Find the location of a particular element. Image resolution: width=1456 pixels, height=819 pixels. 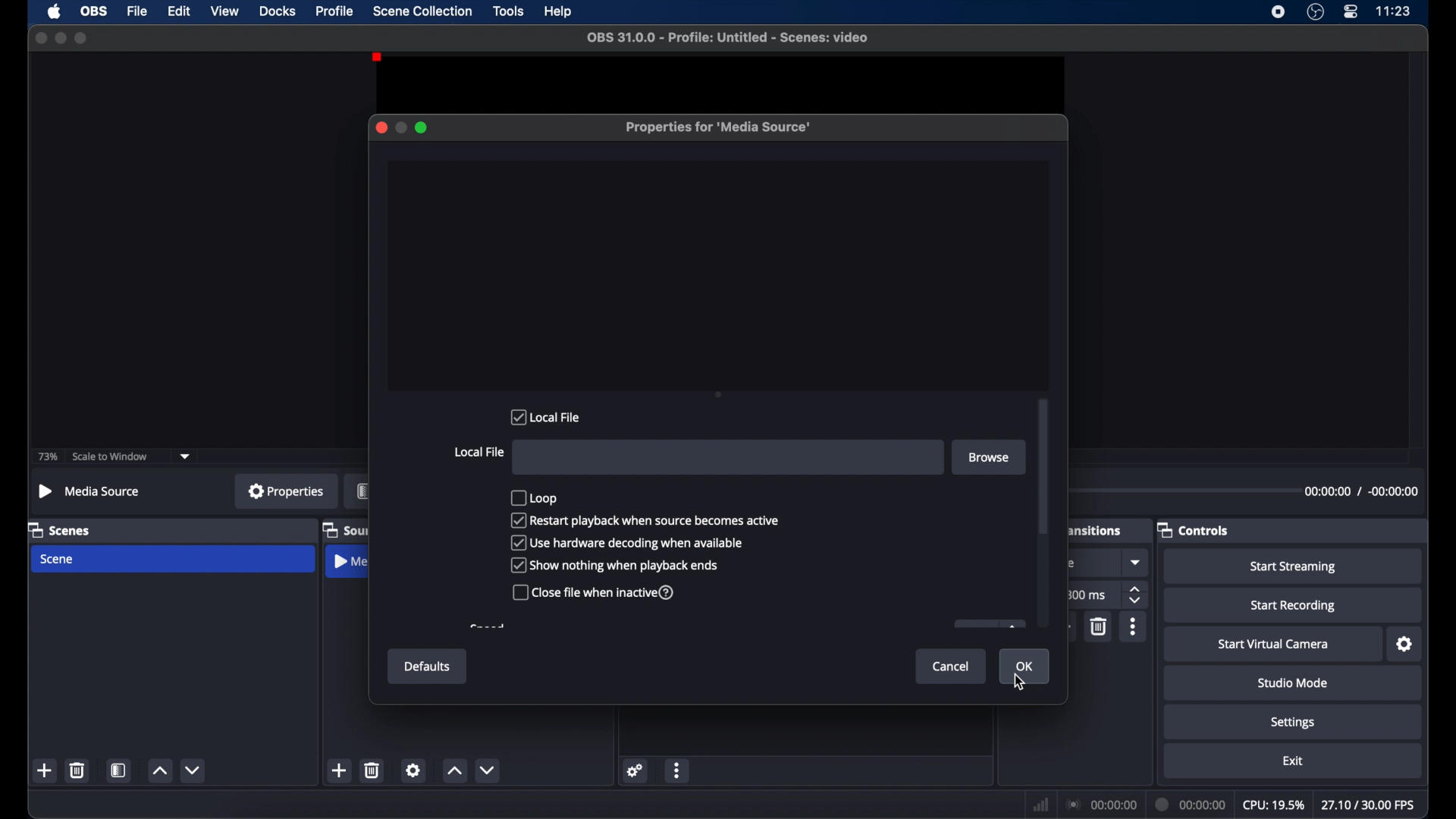

view is located at coordinates (224, 11).